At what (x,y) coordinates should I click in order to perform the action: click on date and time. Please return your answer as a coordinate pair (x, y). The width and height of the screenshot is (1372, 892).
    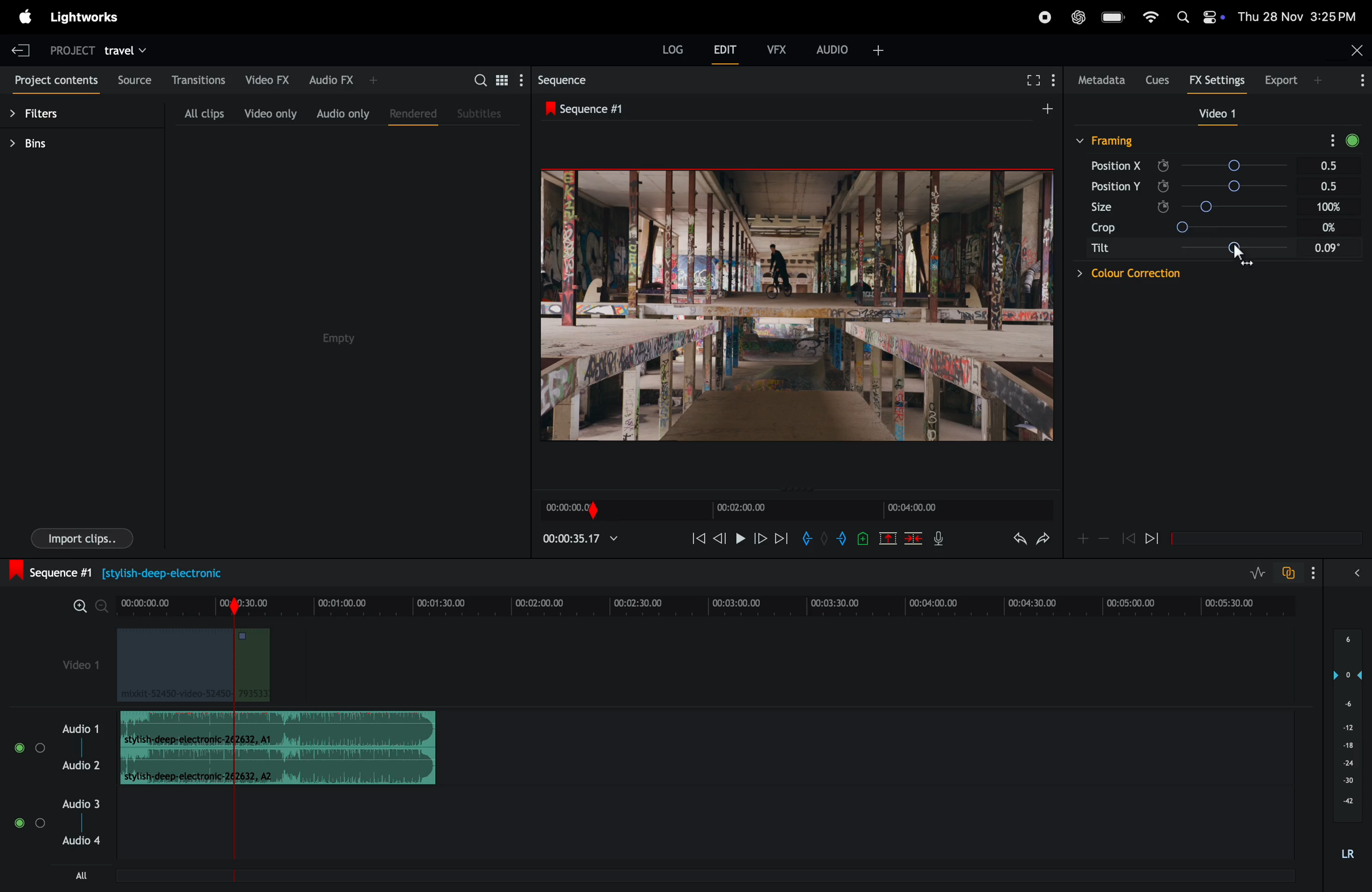
    Looking at the image, I should click on (1299, 17).